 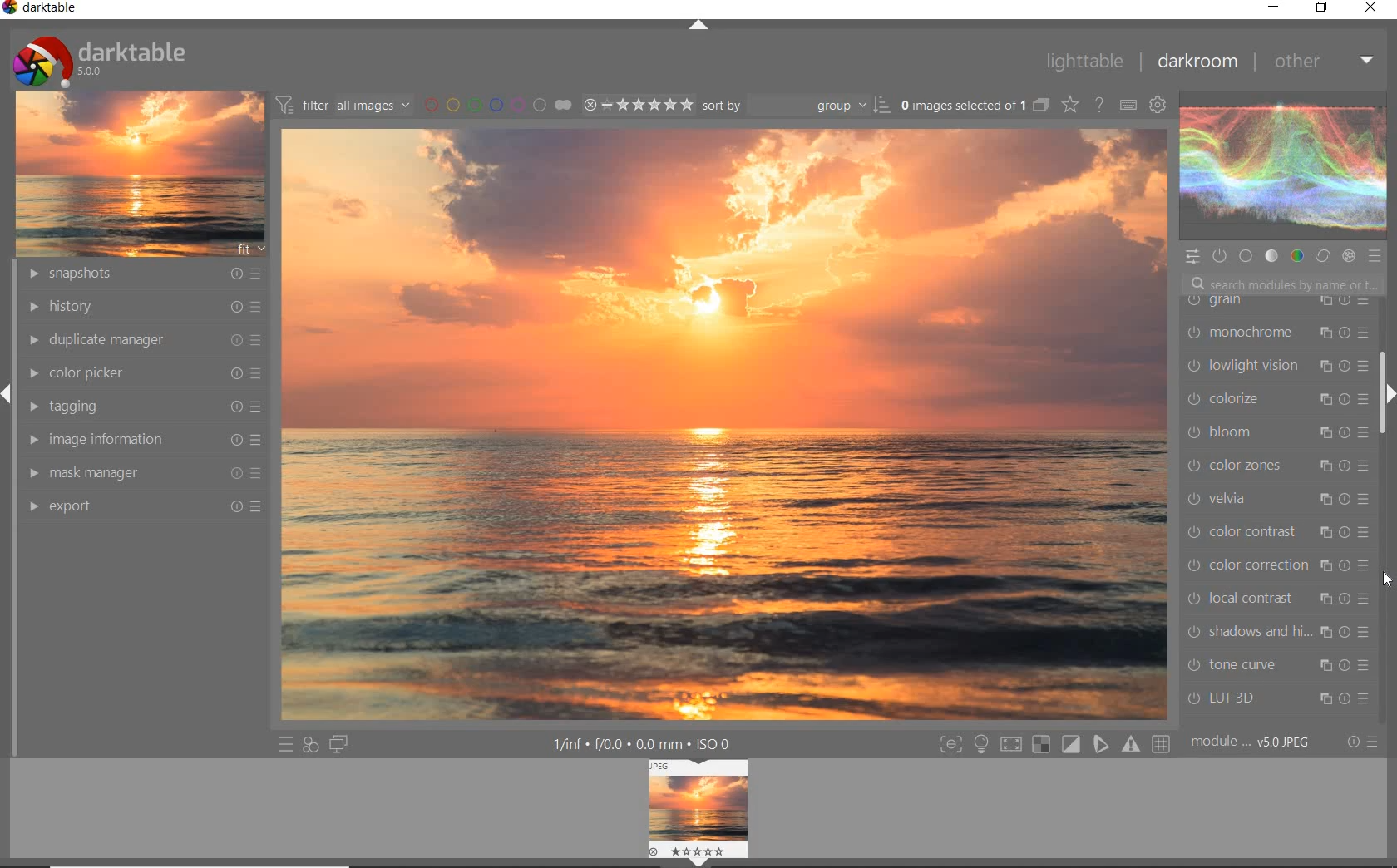 I want to click on bloom, so click(x=1277, y=435).